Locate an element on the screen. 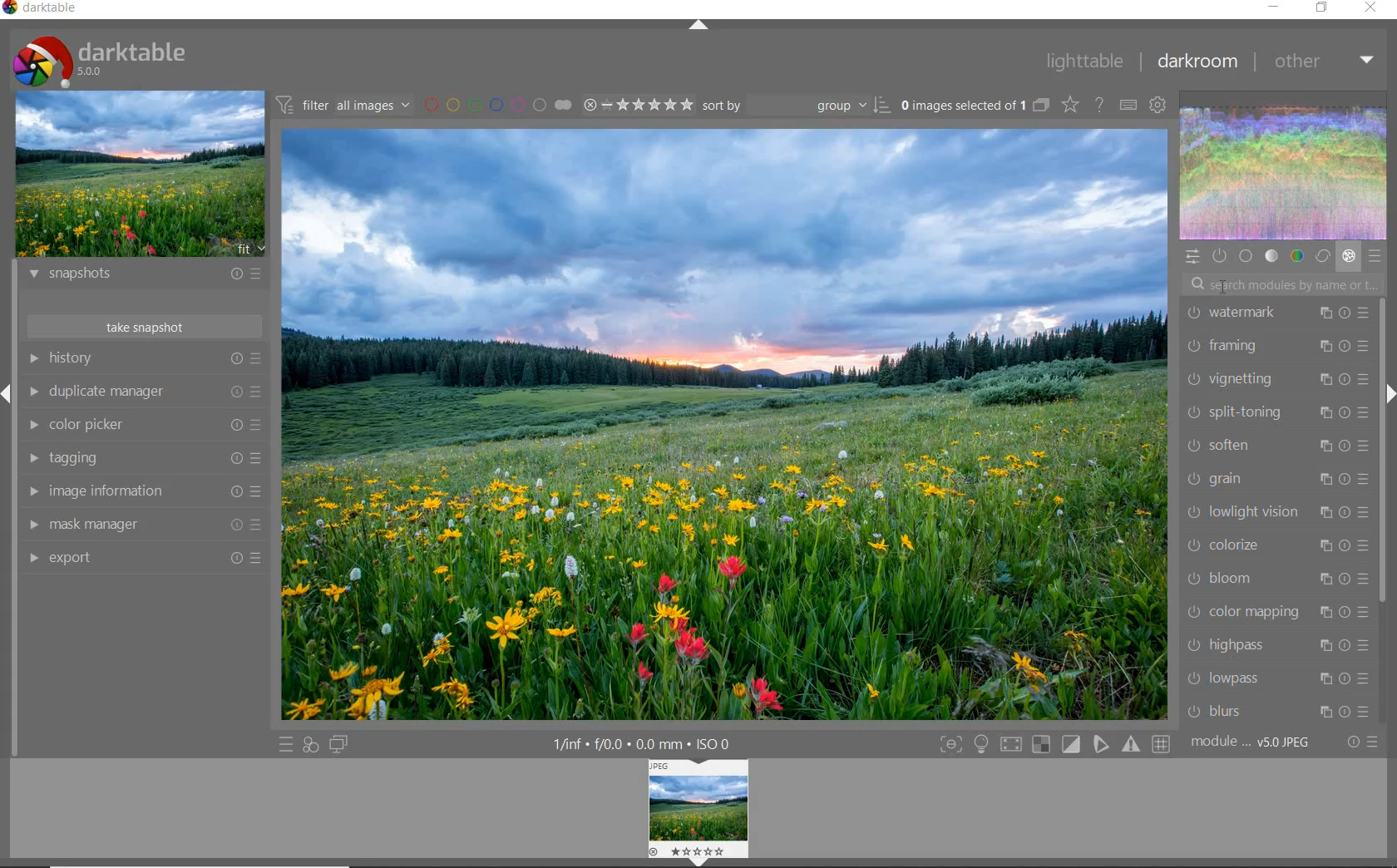 Image resolution: width=1397 pixels, height=868 pixels. enable online help is located at coordinates (1098, 106).